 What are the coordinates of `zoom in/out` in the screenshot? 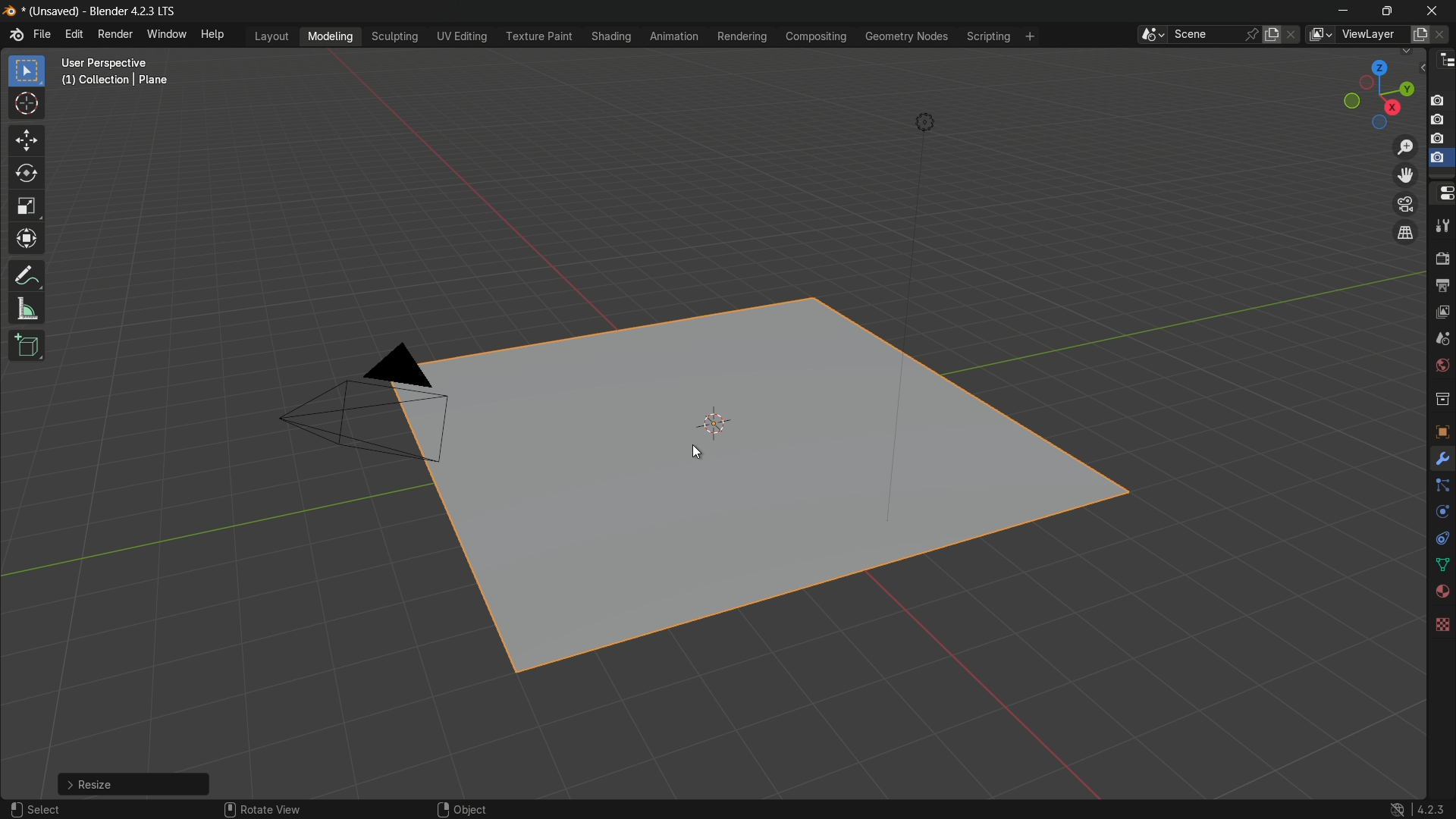 It's located at (1404, 147).